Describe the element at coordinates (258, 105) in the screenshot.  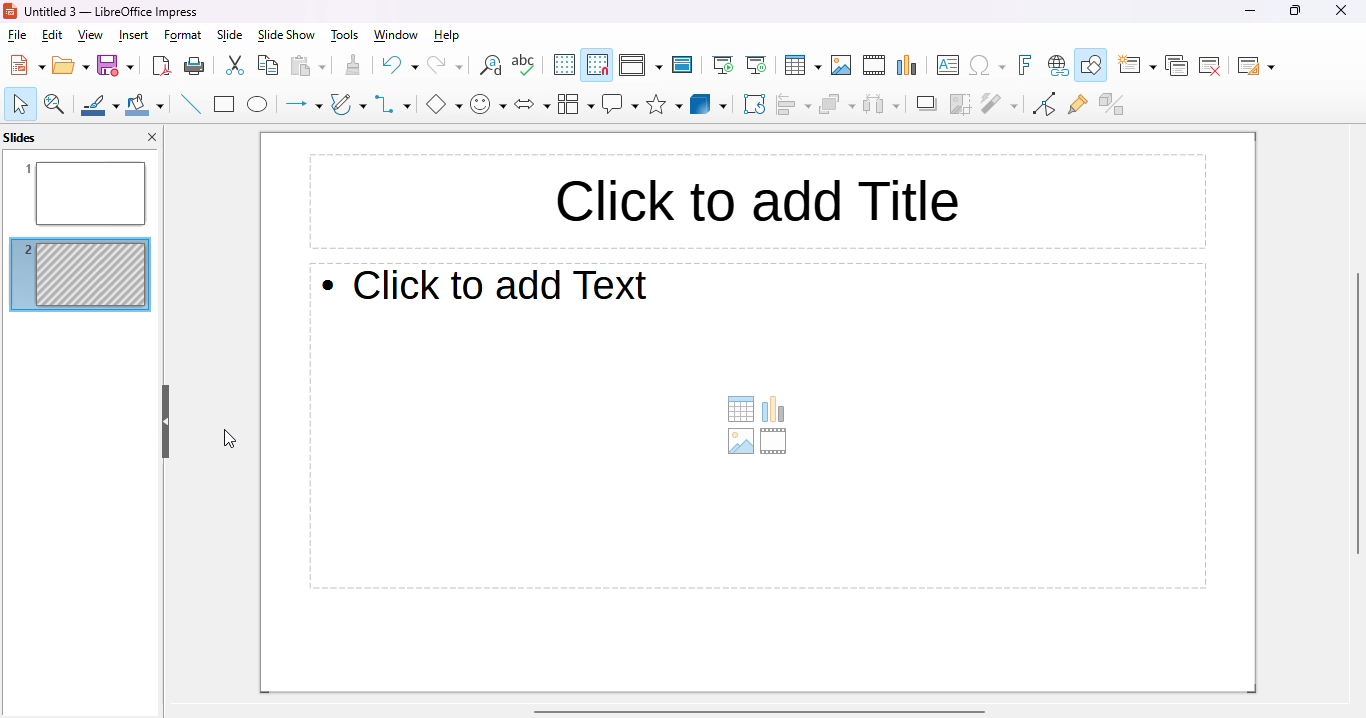
I see `ellipse` at that location.